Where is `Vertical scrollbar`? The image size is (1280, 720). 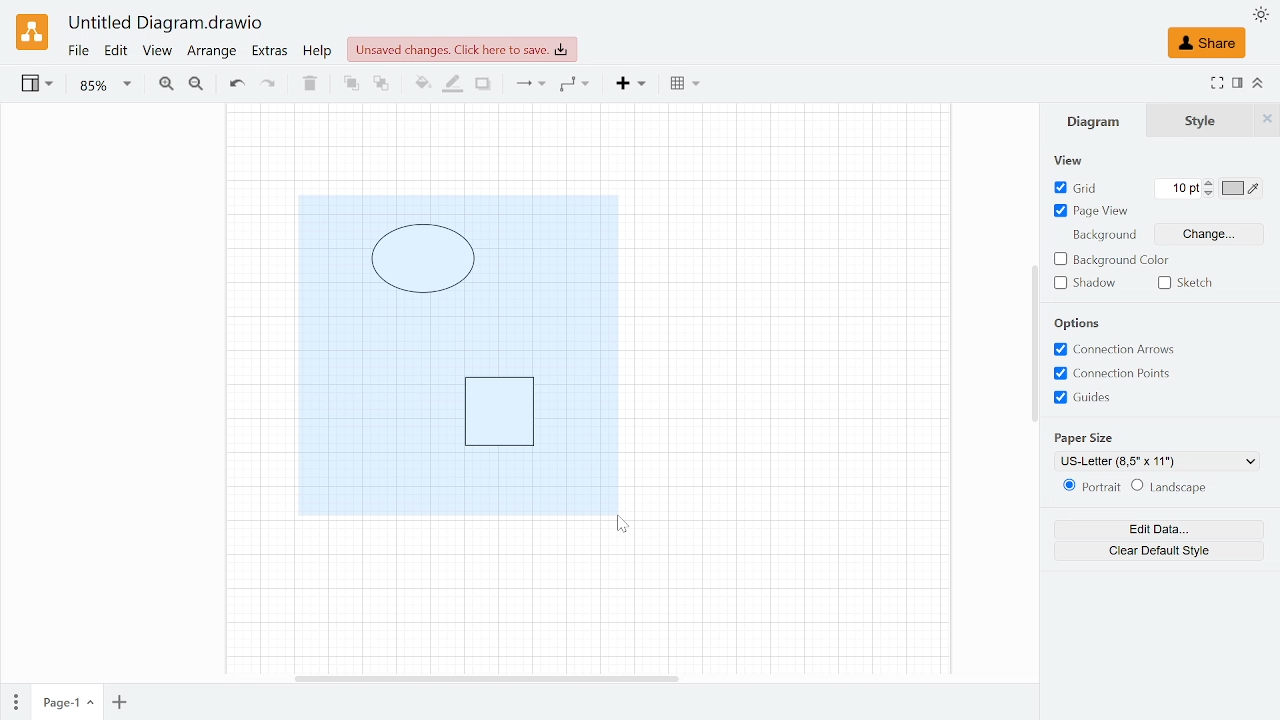 Vertical scrollbar is located at coordinates (1034, 343).